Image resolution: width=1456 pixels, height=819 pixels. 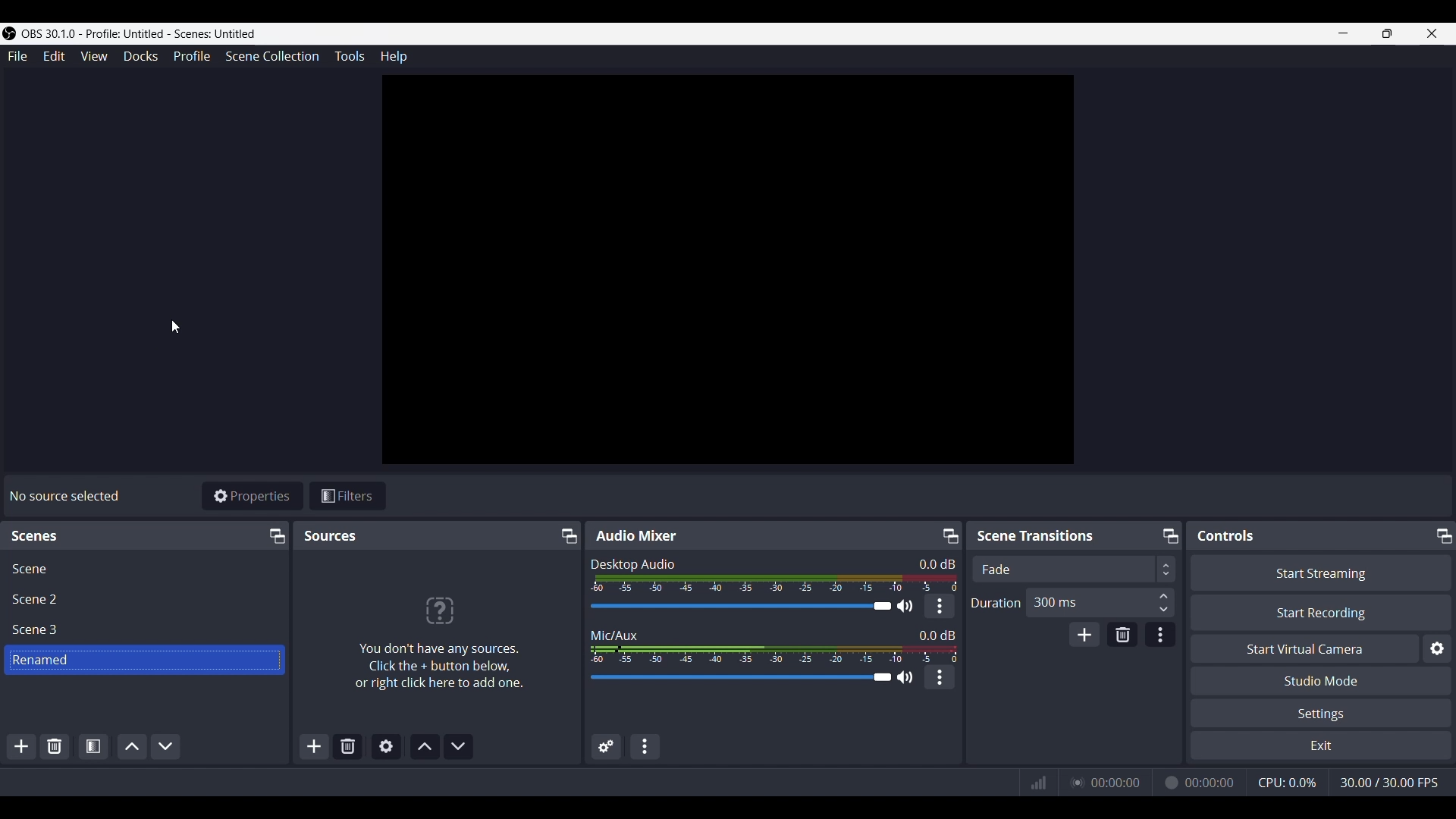 What do you see at coordinates (166, 745) in the screenshot?
I see `Move scene down` at bounding box center [166, 745].